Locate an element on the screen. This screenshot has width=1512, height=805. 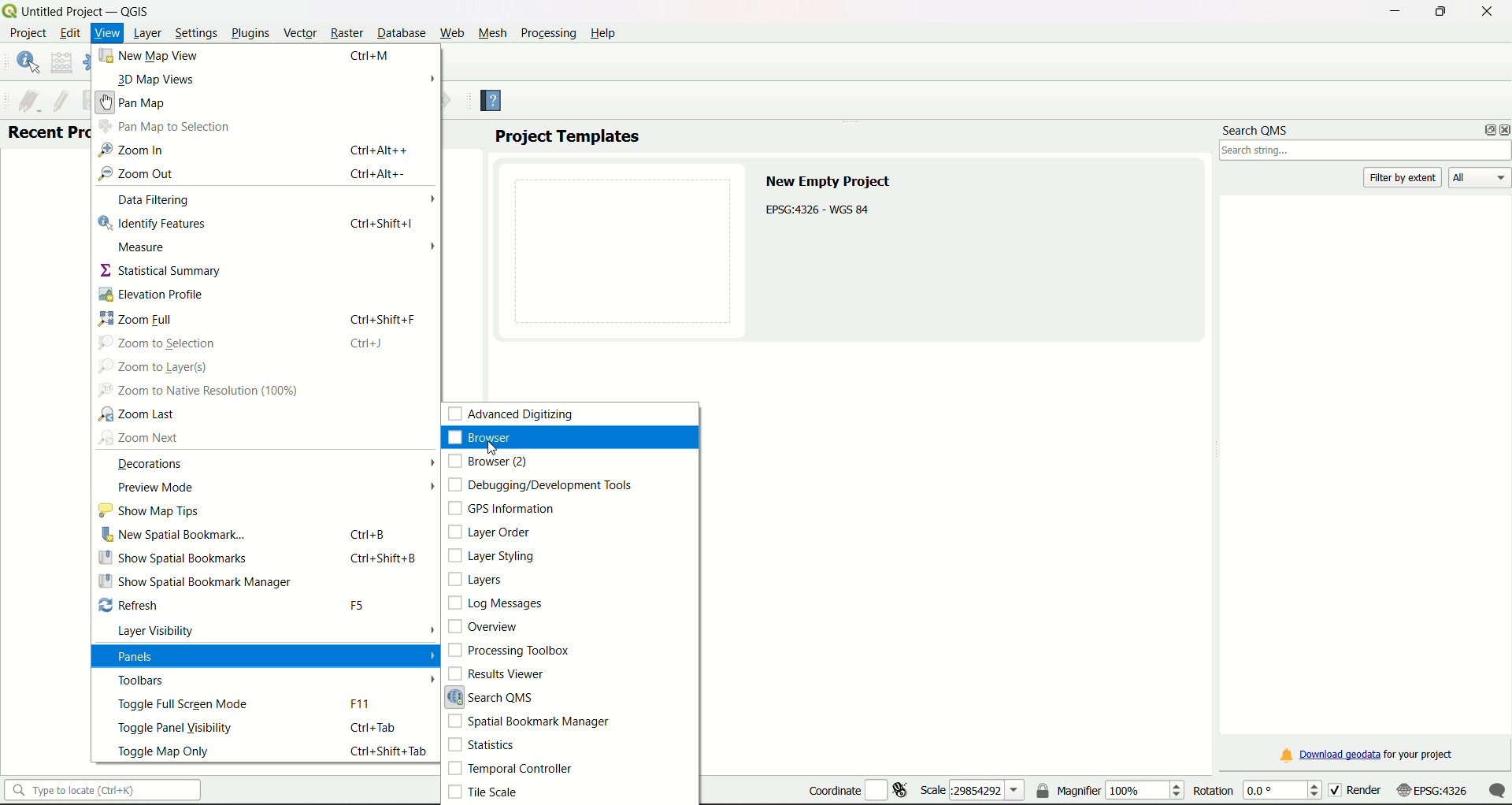
Panels is located at coordinates (149, 655).